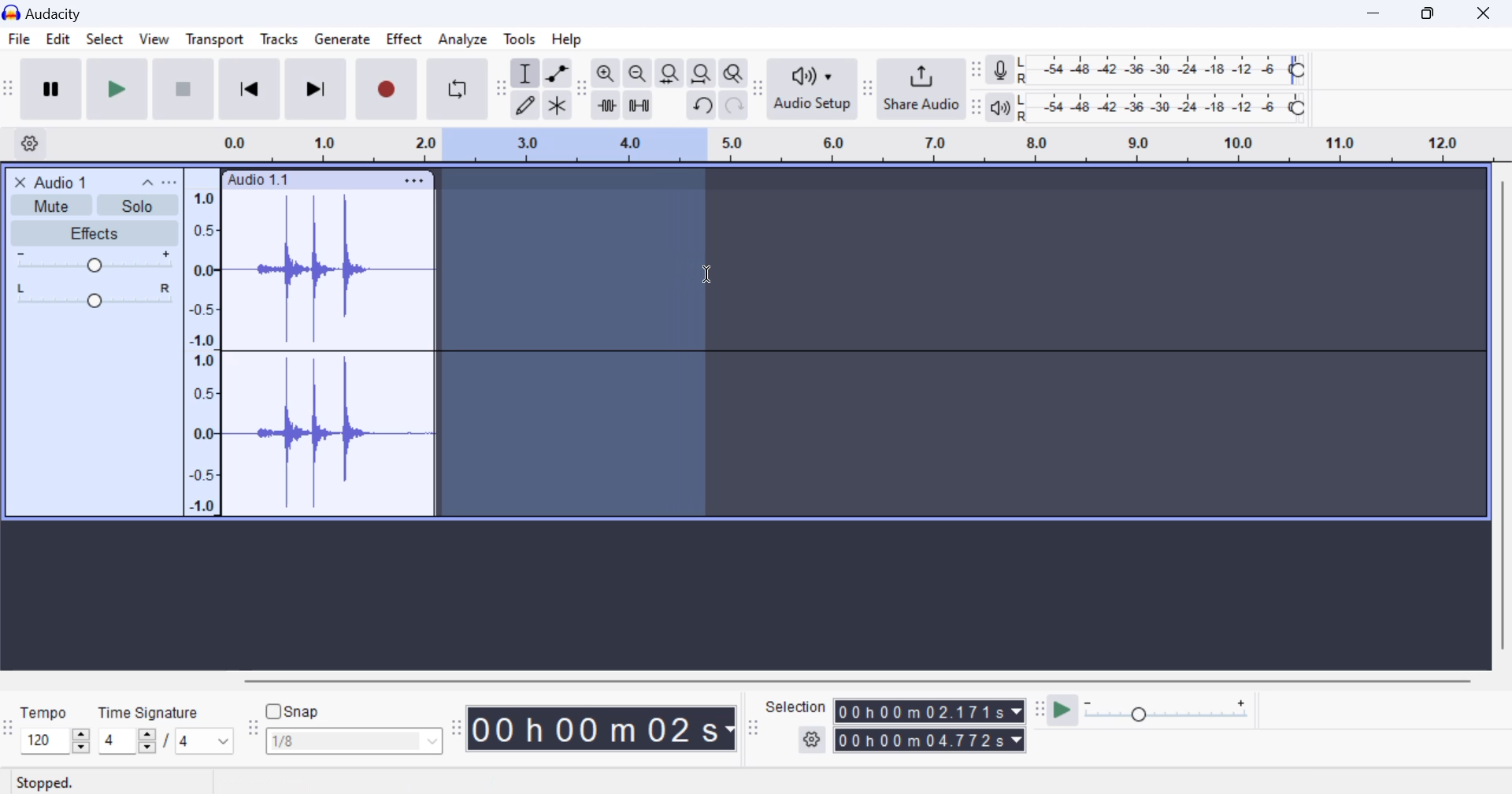  I want to click on draw tool, so click(525, 106).